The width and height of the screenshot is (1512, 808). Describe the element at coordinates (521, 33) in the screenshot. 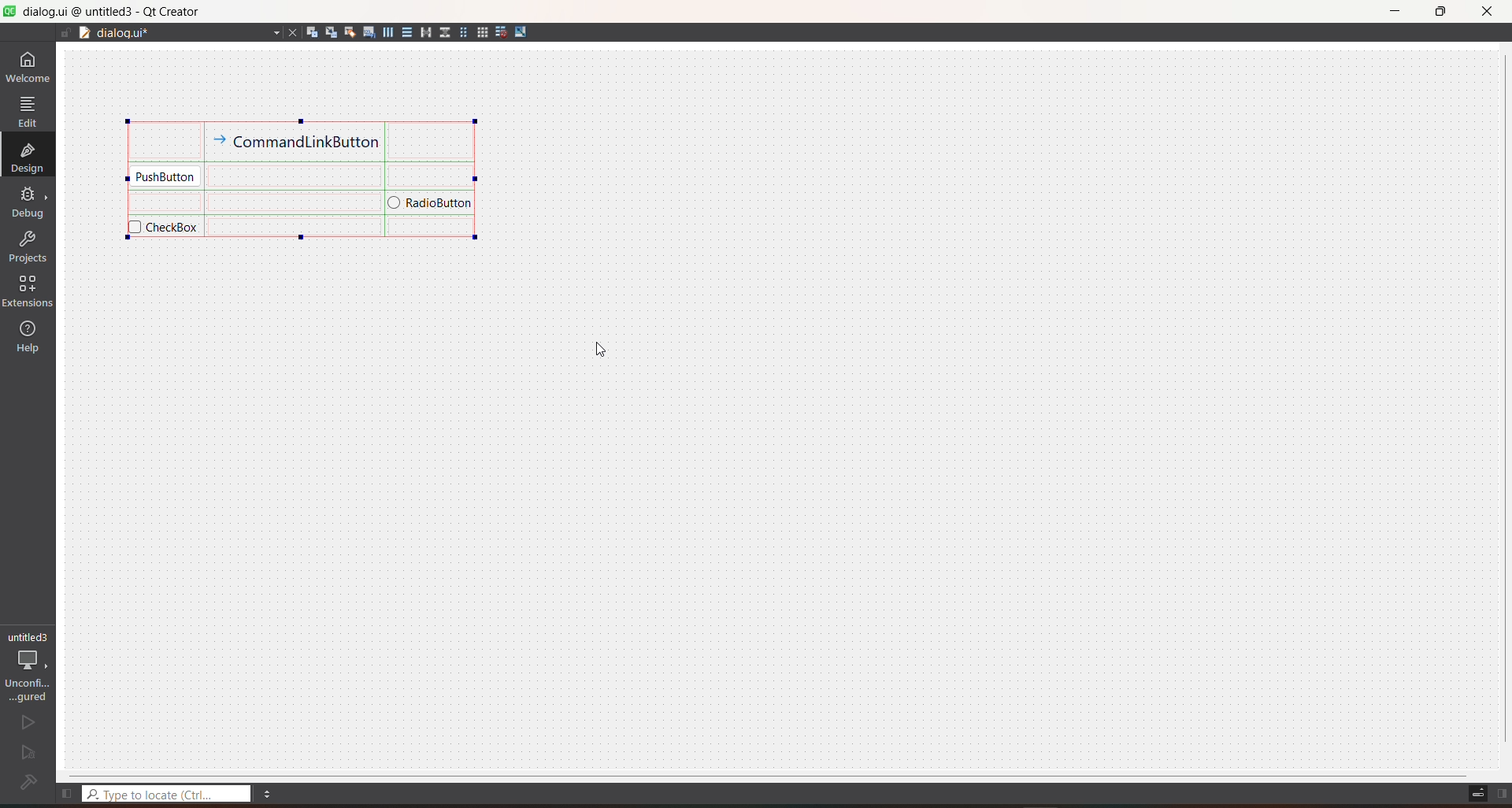

I see `adjust size` at that location.